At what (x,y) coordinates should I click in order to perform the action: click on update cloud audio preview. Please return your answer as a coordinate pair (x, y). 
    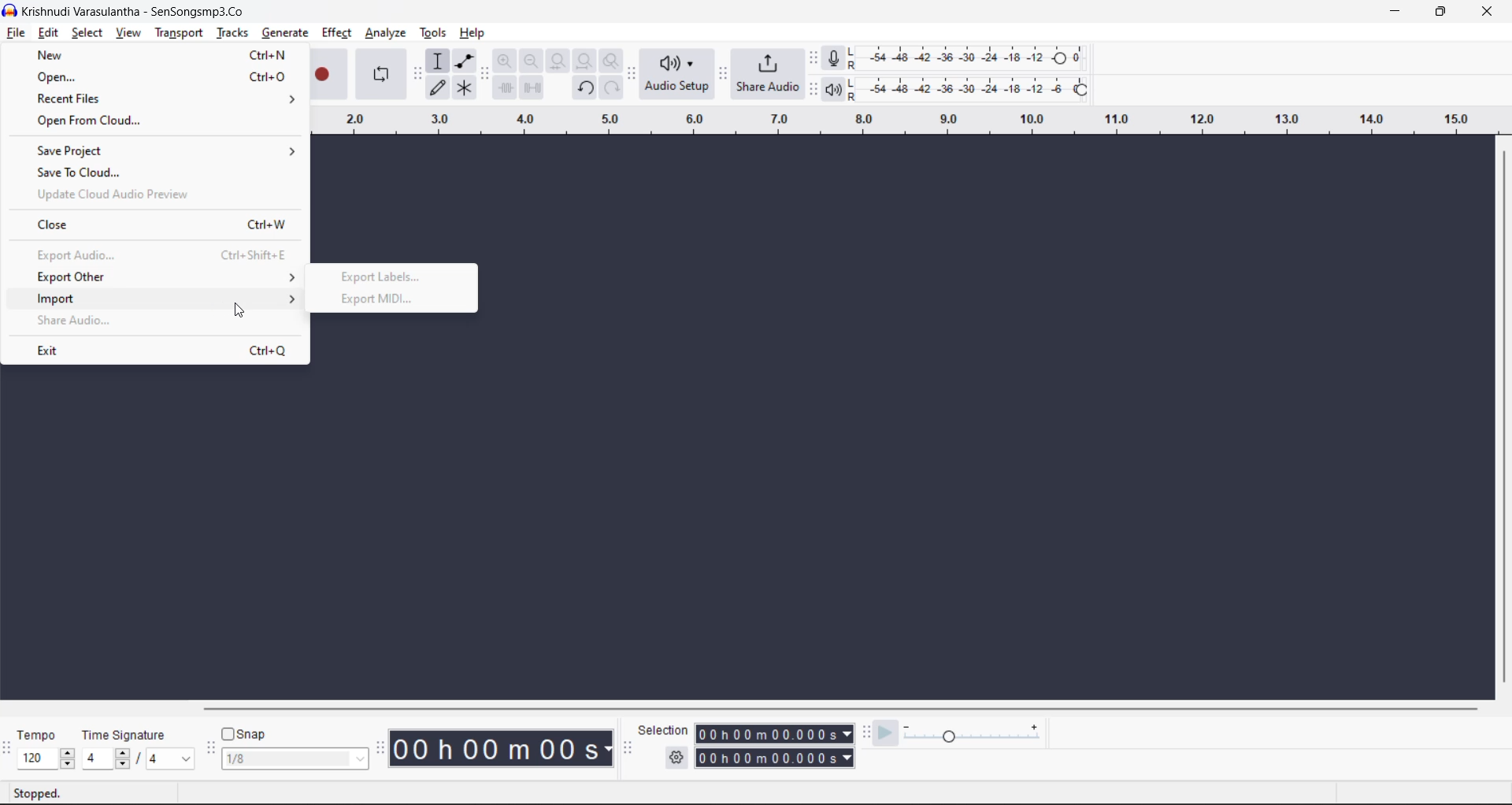
    Looking at the image, I should click on (105, 195).